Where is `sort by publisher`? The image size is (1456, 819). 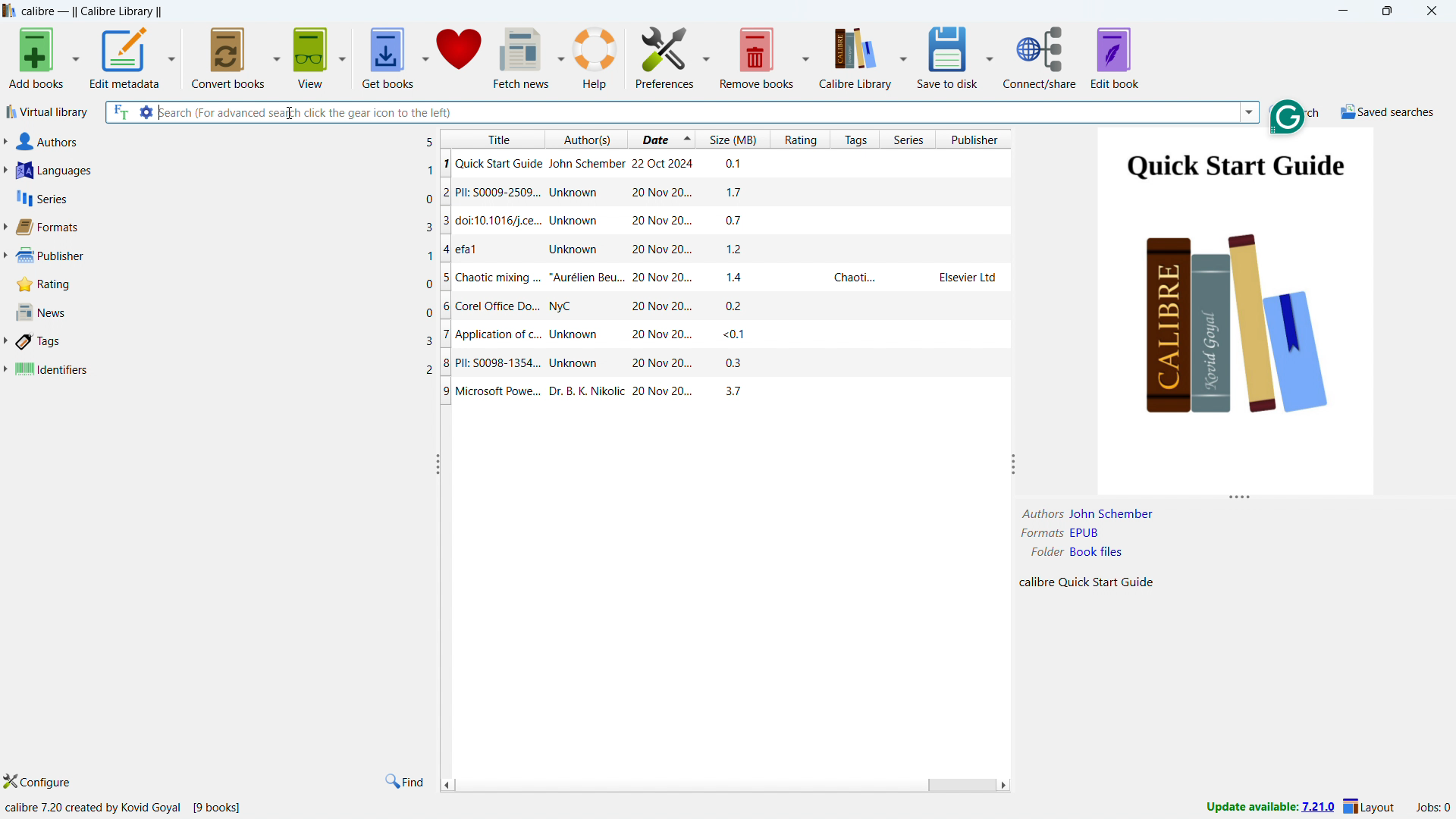 sort by publisher is located at coordinates (977, 139).